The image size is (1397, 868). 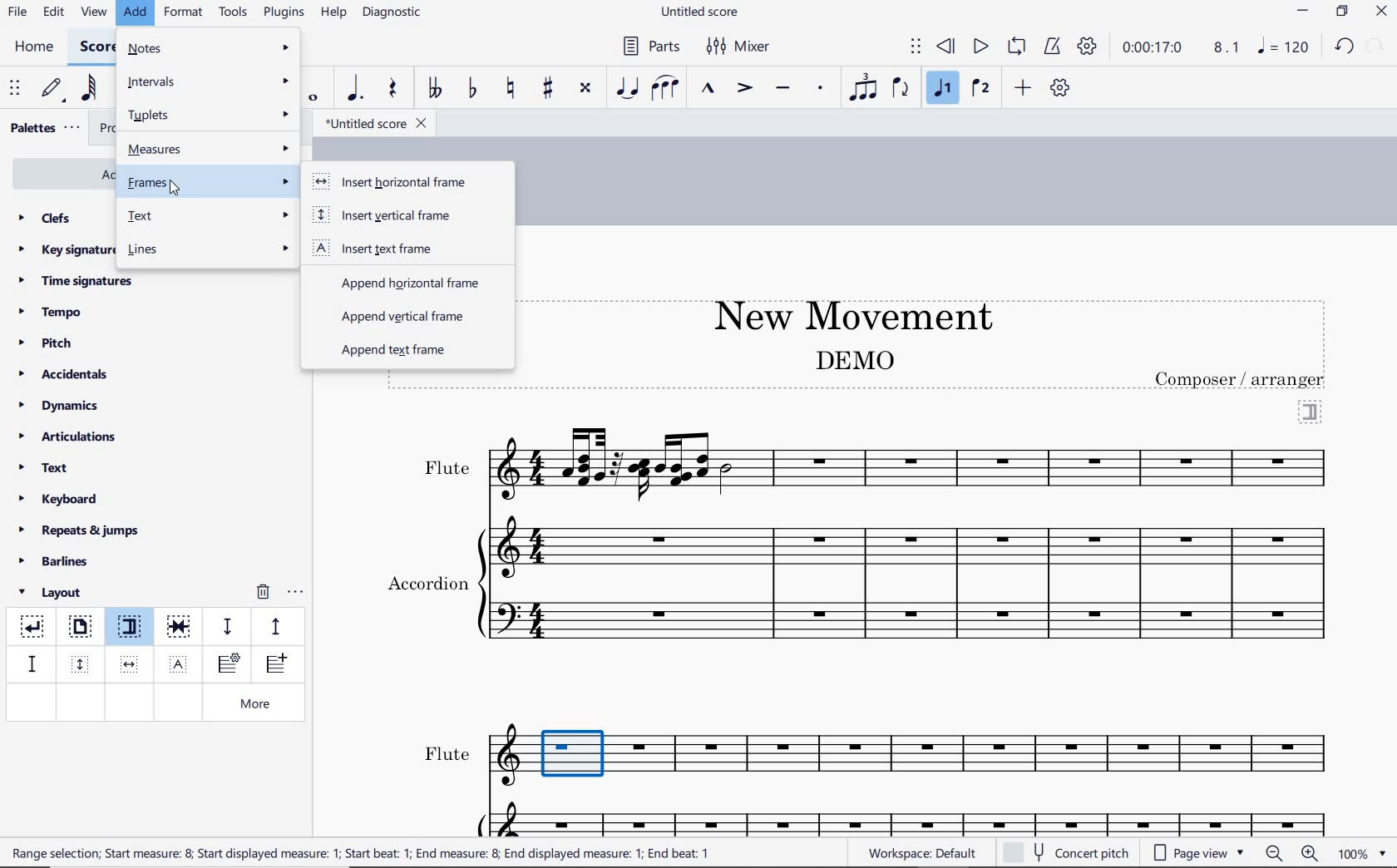 I want to click on 64th note, so click(x=91, y=88).